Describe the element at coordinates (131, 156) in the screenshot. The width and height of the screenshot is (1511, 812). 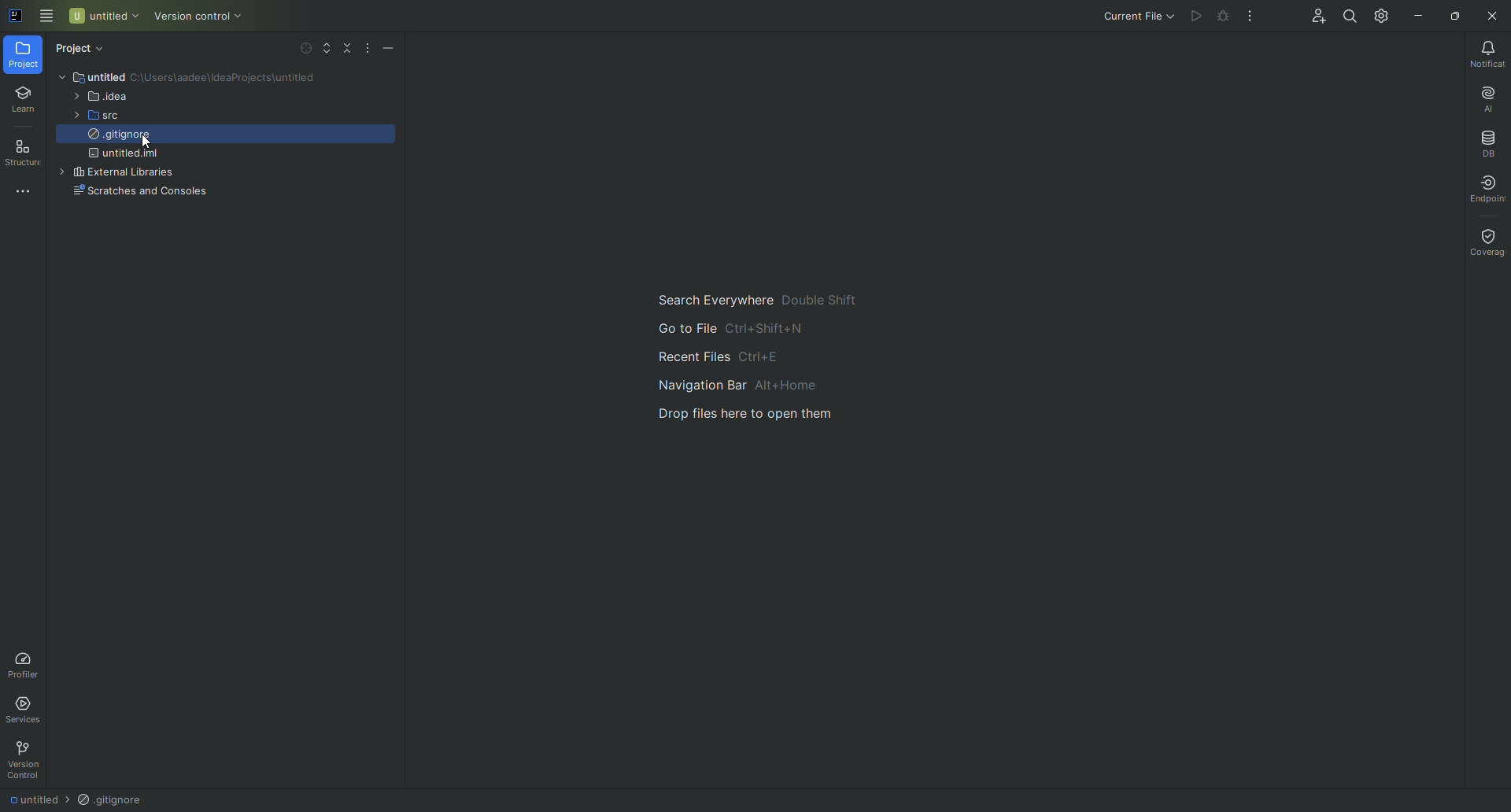
I see `untitled.iml` at that location.